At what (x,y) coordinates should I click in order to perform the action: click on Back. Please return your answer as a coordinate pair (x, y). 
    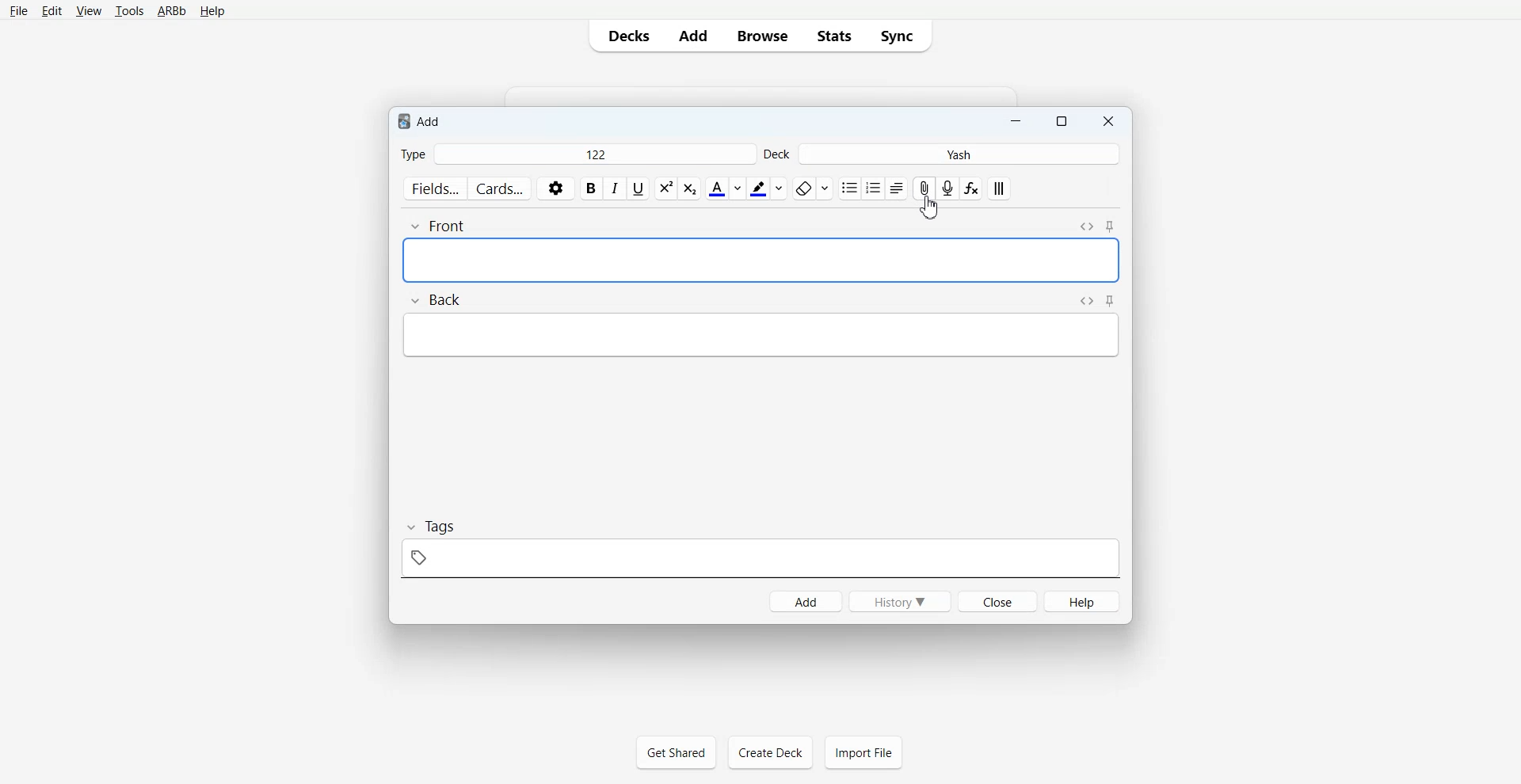
    Looking at the image, I should click on (696, 325).